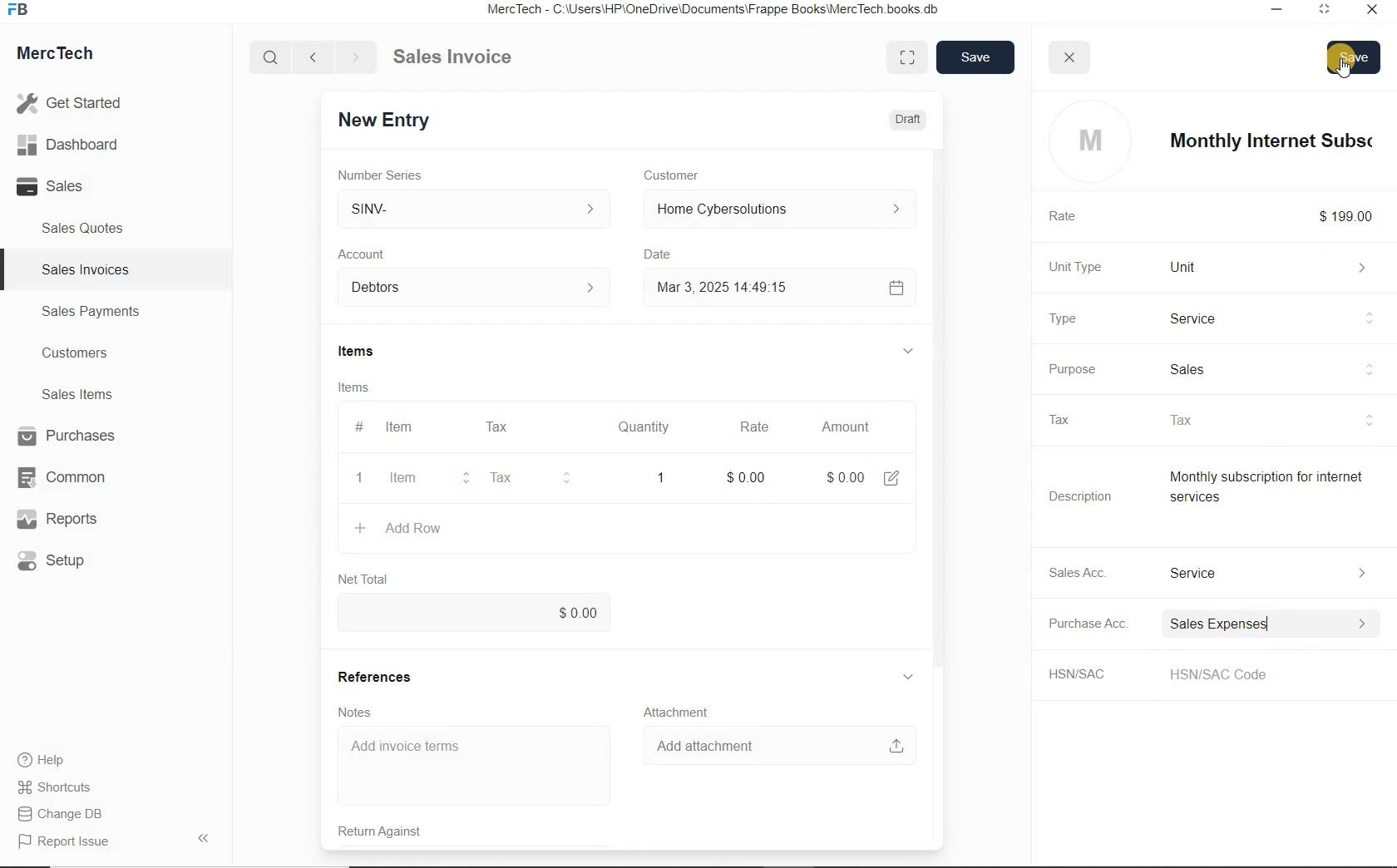  I want to click on Save, so click(1355, 55).